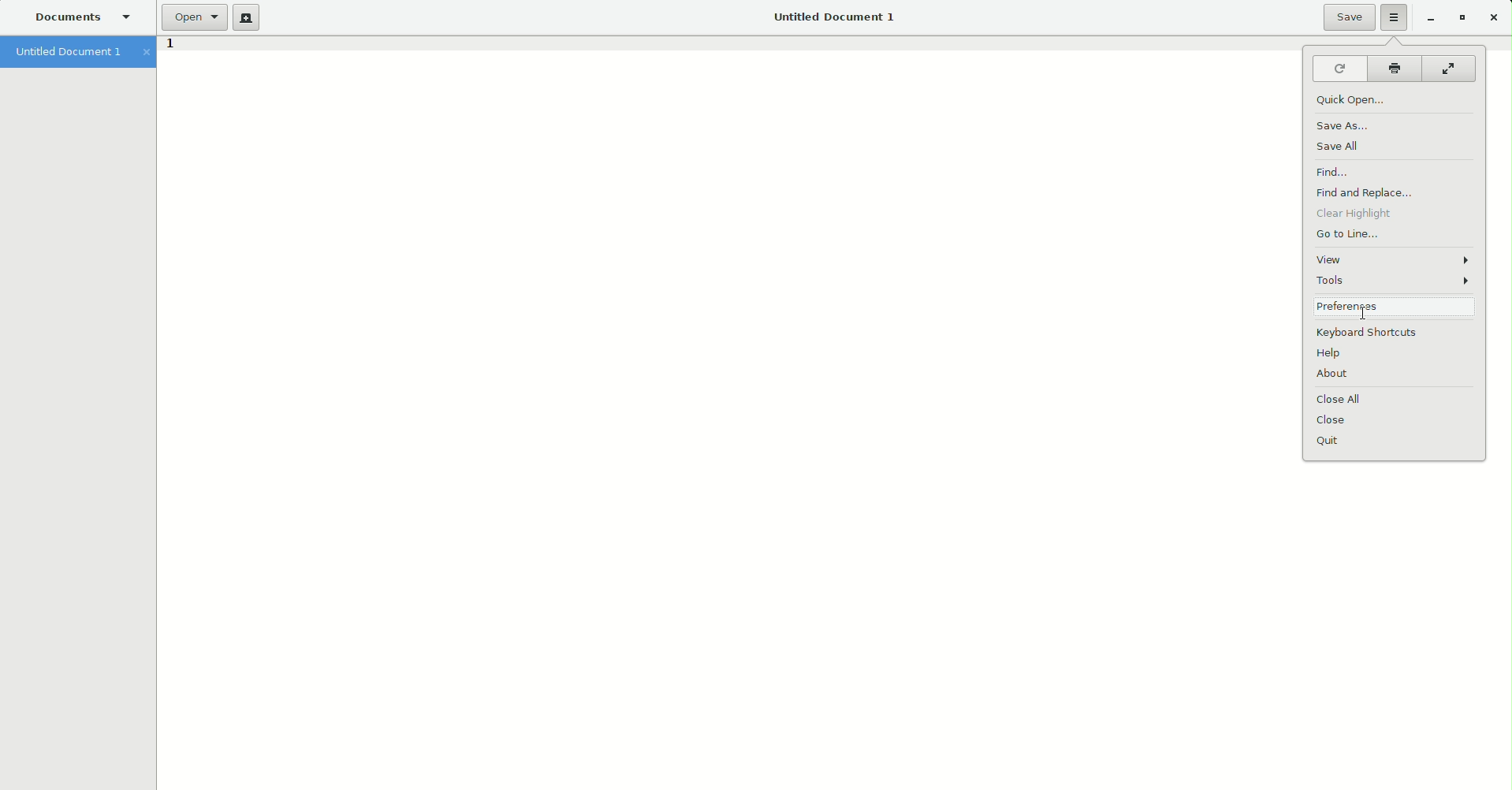 This screenshot has width=1512, height=790. What do you see at coordinates (1362, 307) in the screenshot?
I see `Preferences` at bounding box center [1362, 307].